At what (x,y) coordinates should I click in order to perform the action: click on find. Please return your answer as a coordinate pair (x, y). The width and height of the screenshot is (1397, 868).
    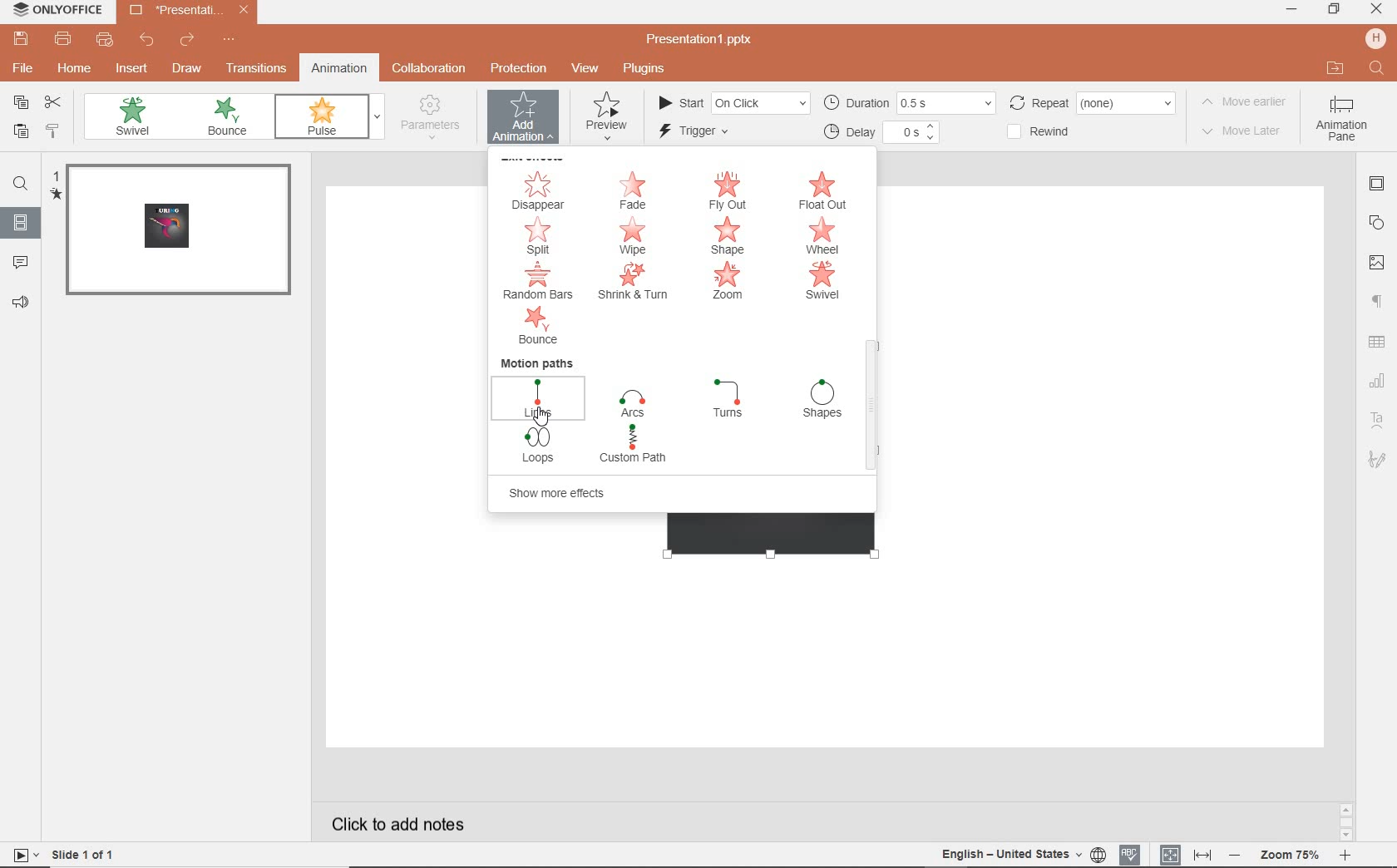
    Looking at the image, I should click on (22, 184).